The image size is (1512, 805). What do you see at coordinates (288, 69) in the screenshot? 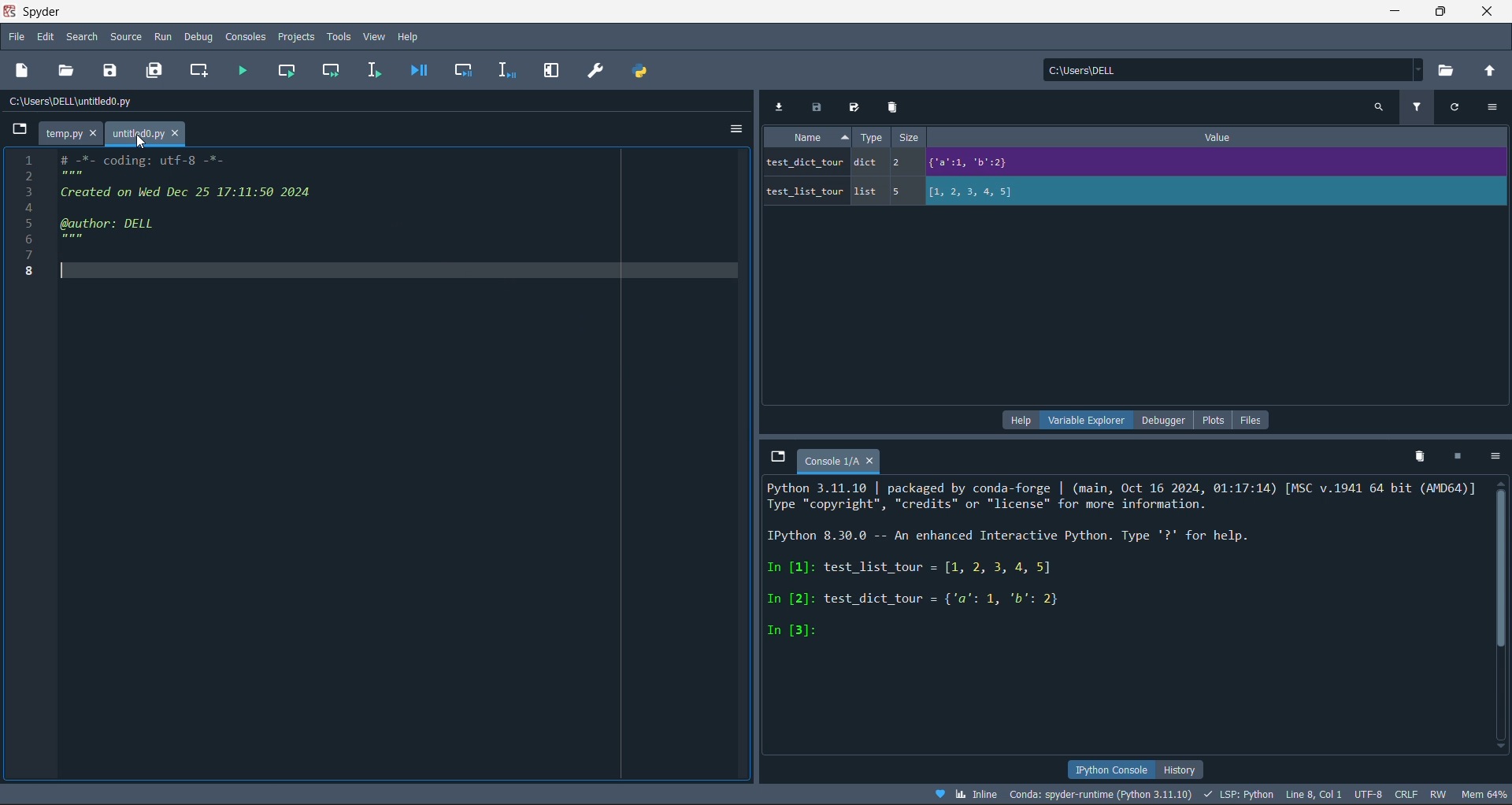
I see `run cell` at bounding box center [288, 69].